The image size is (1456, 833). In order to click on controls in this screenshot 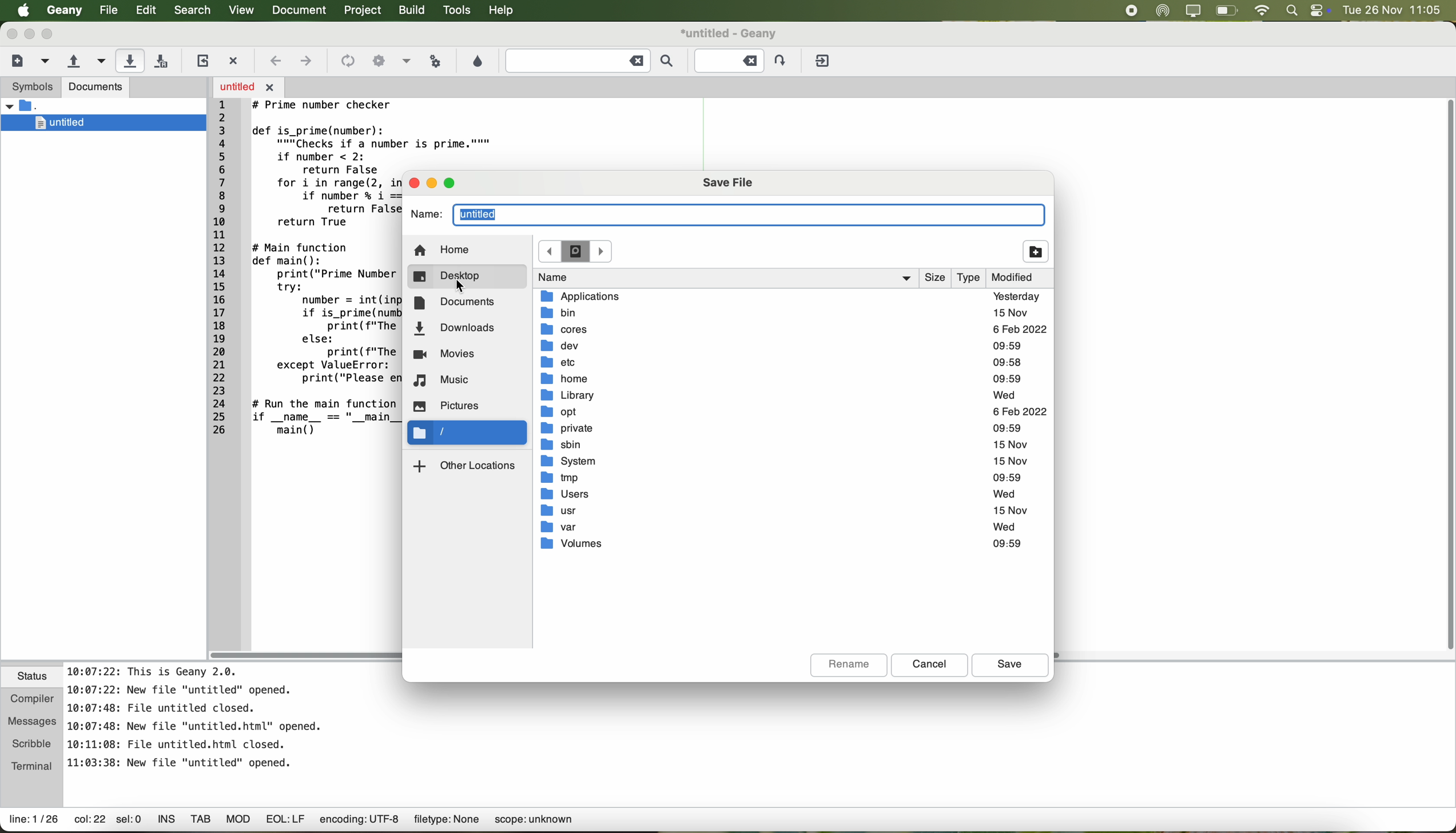, I will do `click(1319, 10)`.